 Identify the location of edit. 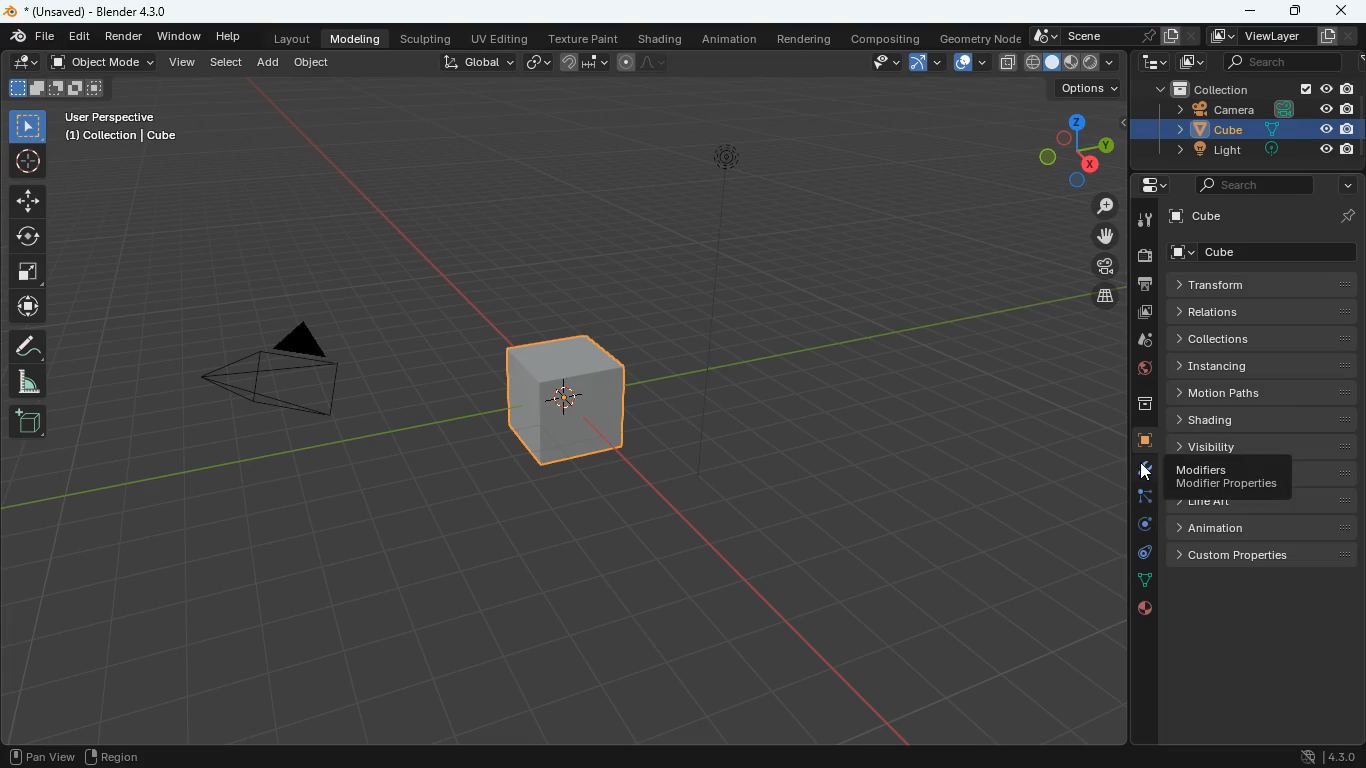
(20, 61).